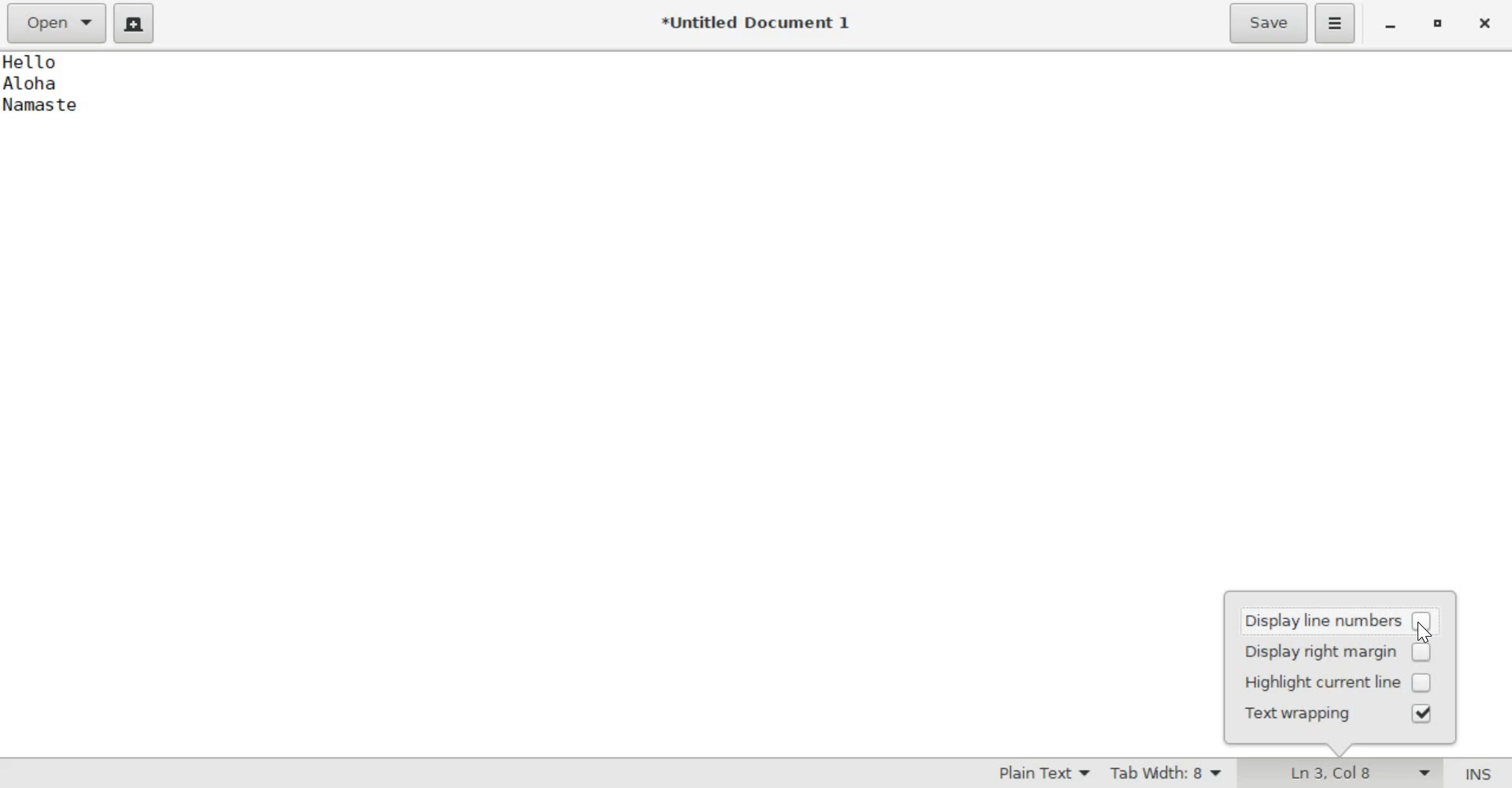  I want to click on Save, so click(1266, 23).